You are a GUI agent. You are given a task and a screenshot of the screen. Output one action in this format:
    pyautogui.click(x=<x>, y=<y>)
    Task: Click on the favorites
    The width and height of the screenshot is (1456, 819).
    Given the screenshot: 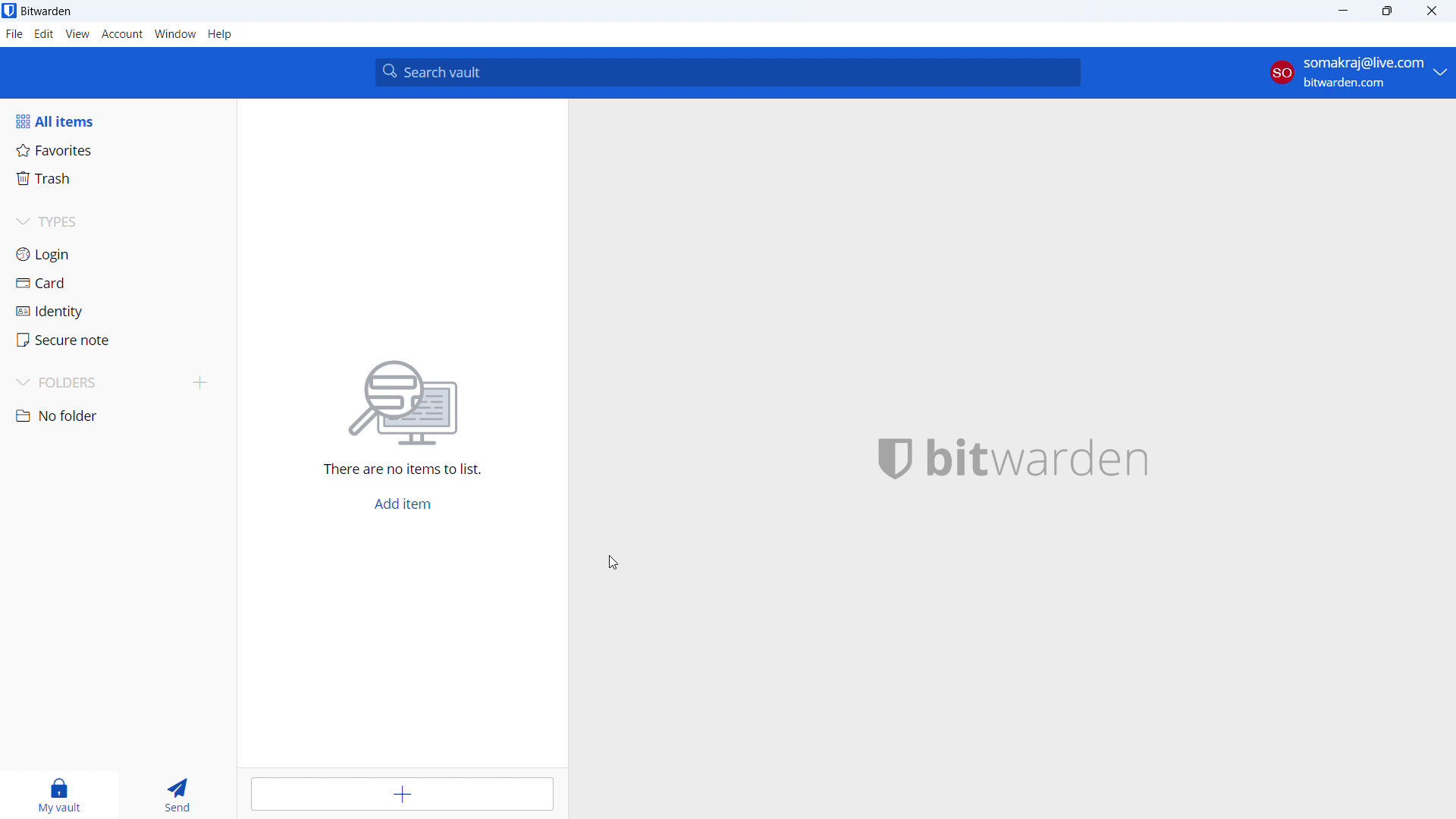 What is the action you would take?
    pyautogui.click(x=117, y=149)
    